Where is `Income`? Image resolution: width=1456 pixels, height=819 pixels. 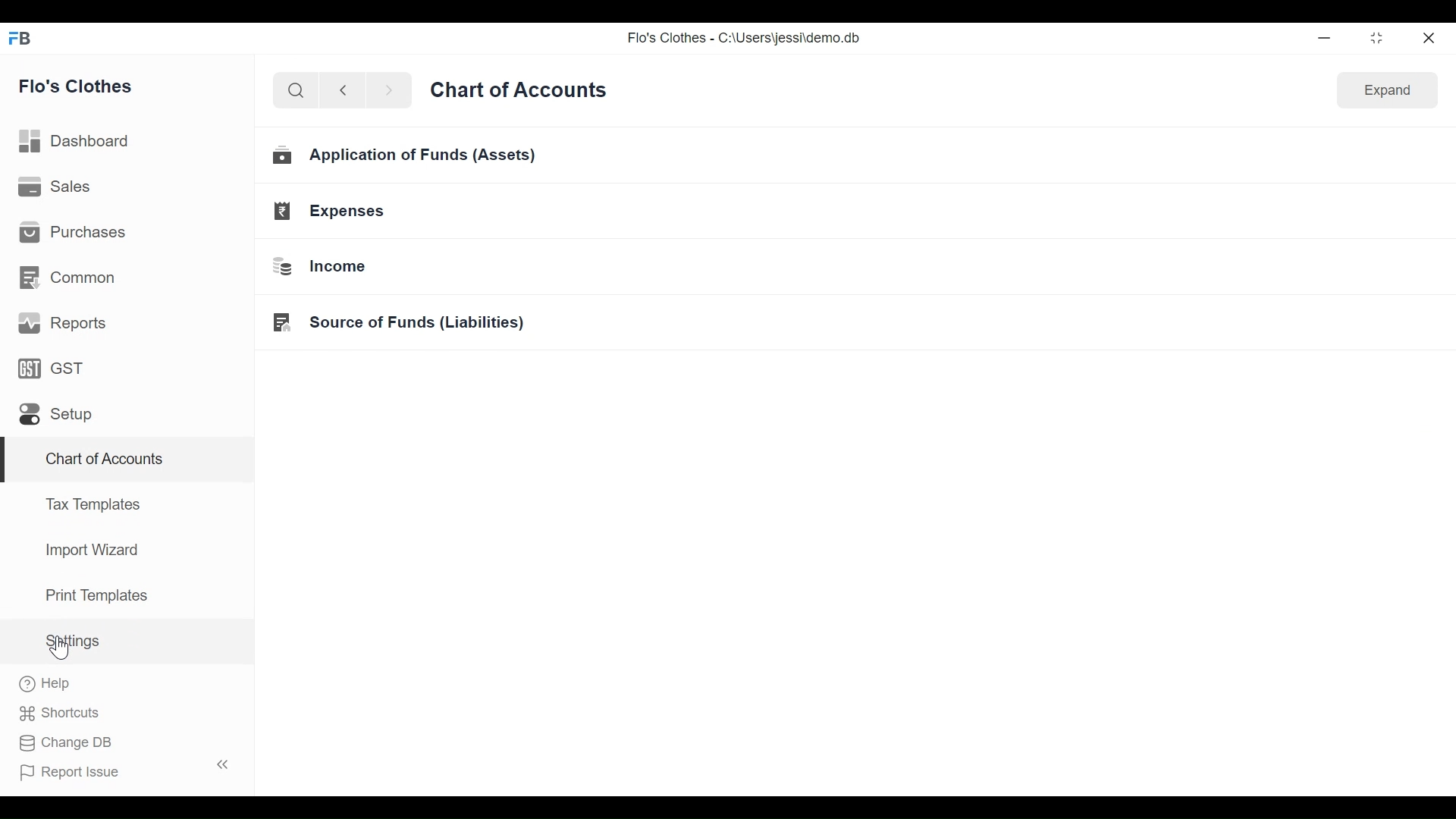 Income is located at coordinates (328, 268).